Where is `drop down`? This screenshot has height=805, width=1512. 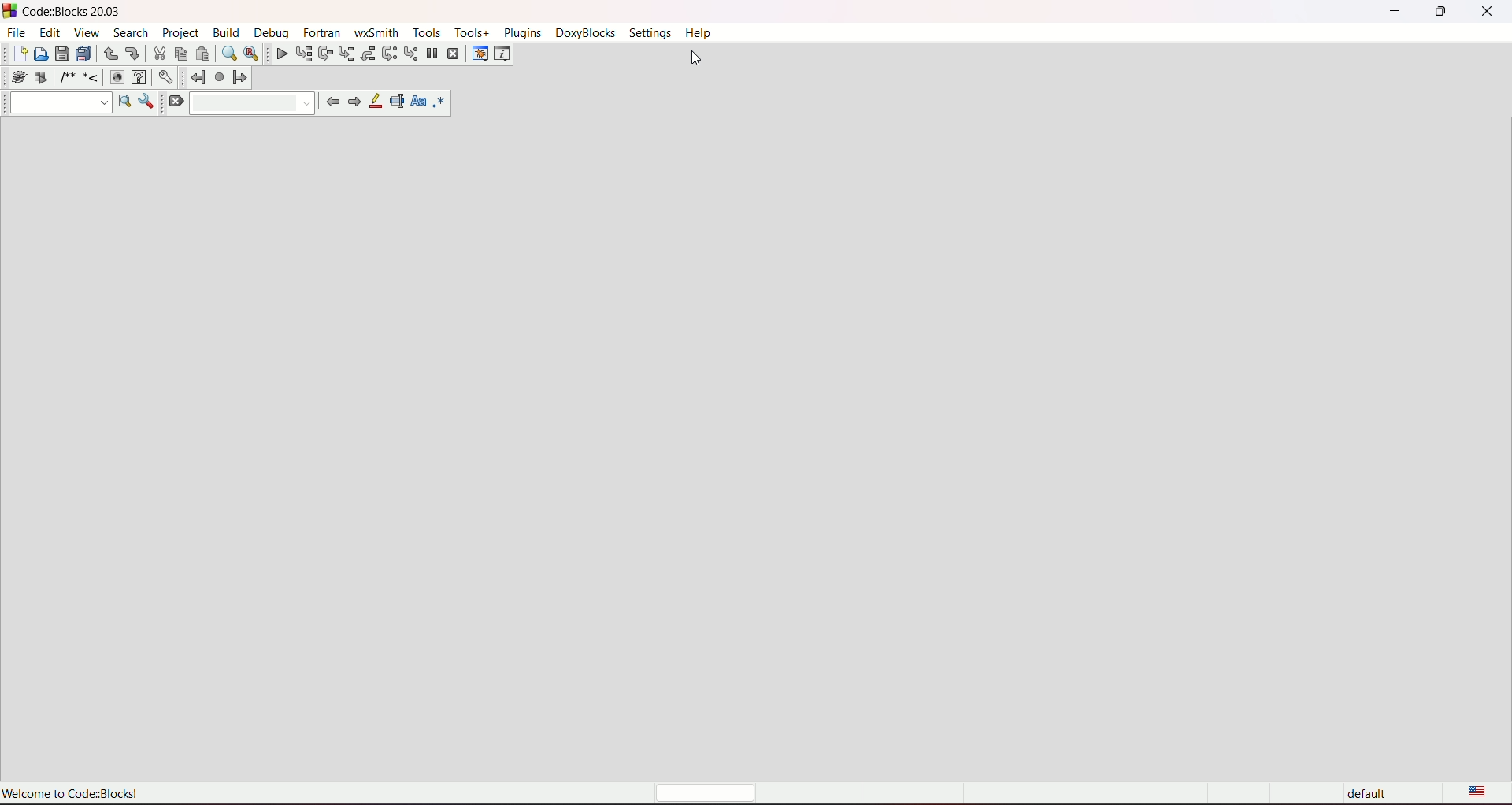 drop down is located at coordinates (46, 103).